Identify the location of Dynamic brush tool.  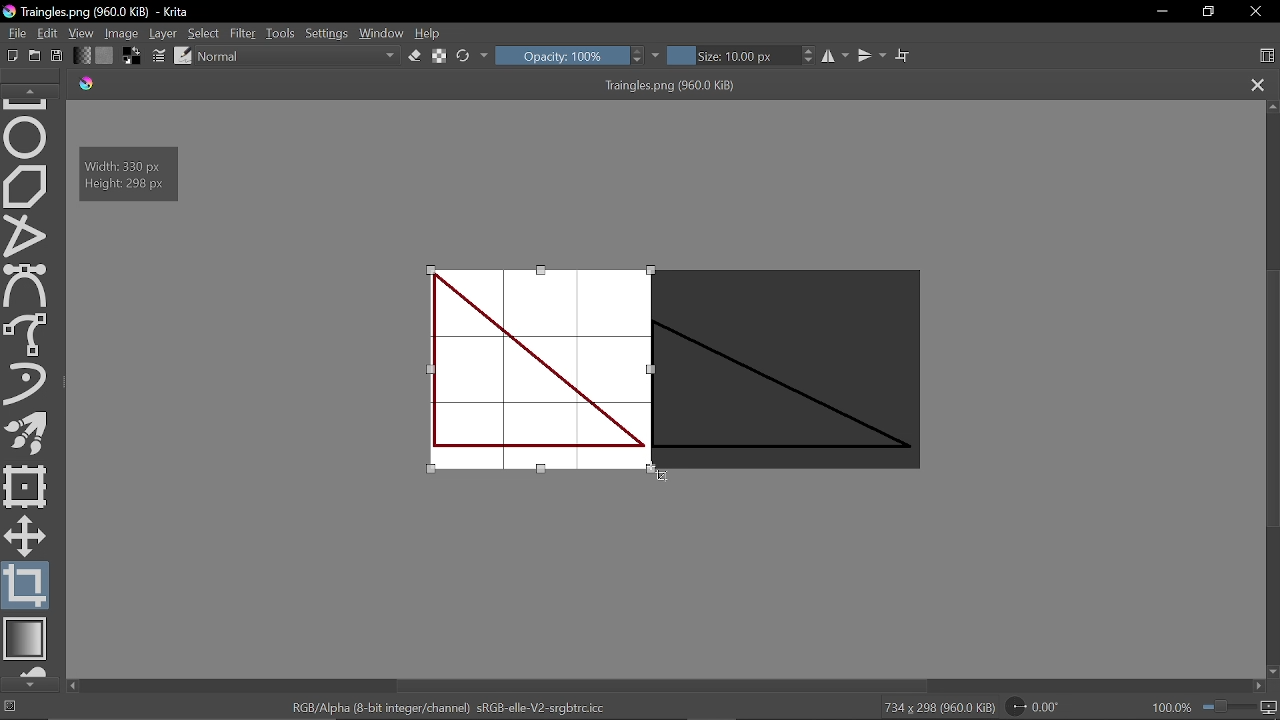
(26, 383).